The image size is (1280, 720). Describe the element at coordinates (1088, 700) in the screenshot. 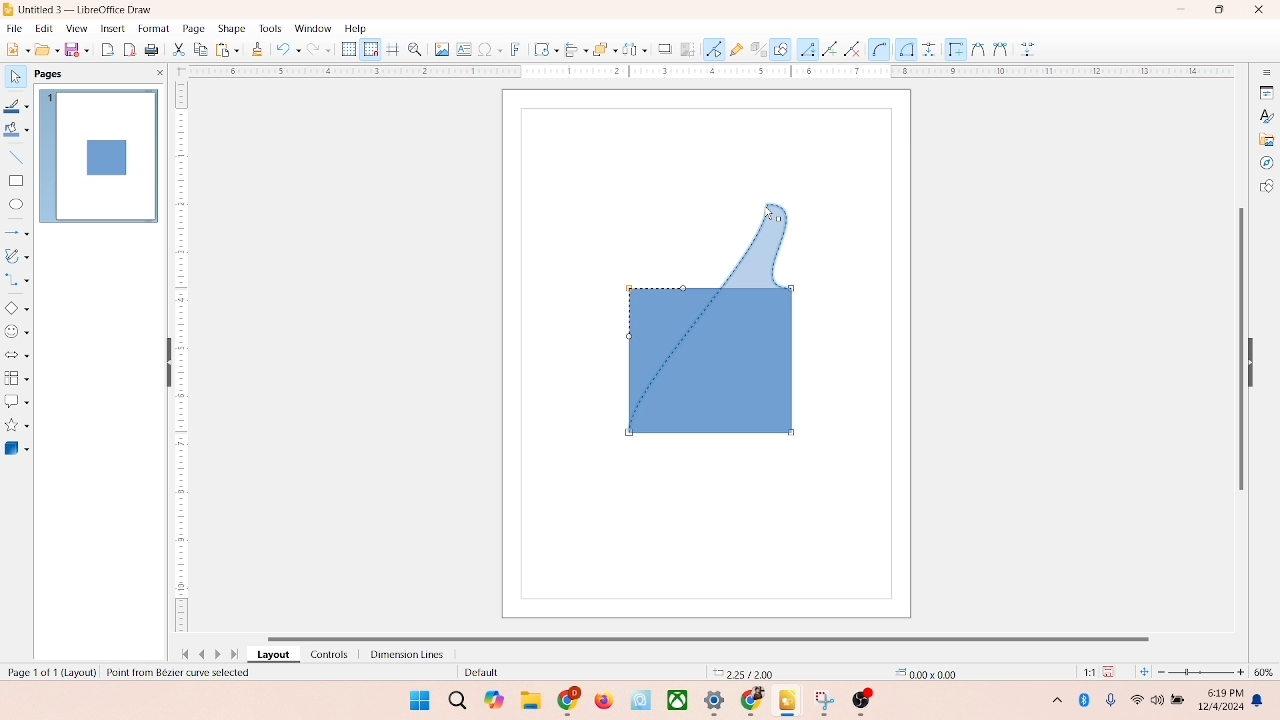

I see `Bluetooth` at that location.